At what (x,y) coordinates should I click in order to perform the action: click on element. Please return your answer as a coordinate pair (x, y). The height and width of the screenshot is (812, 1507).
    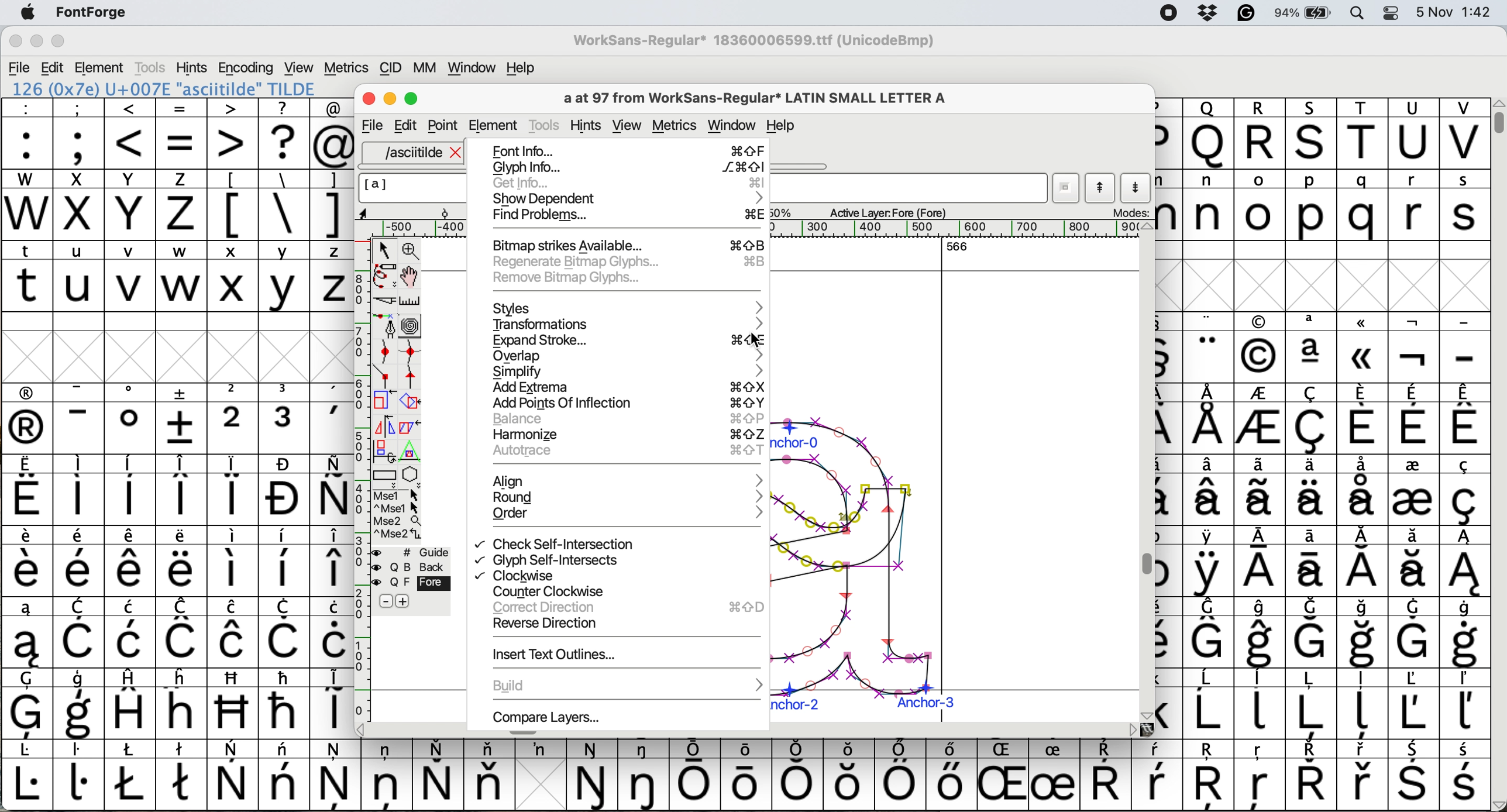
    Looking at the image, I should click on (495, 126).